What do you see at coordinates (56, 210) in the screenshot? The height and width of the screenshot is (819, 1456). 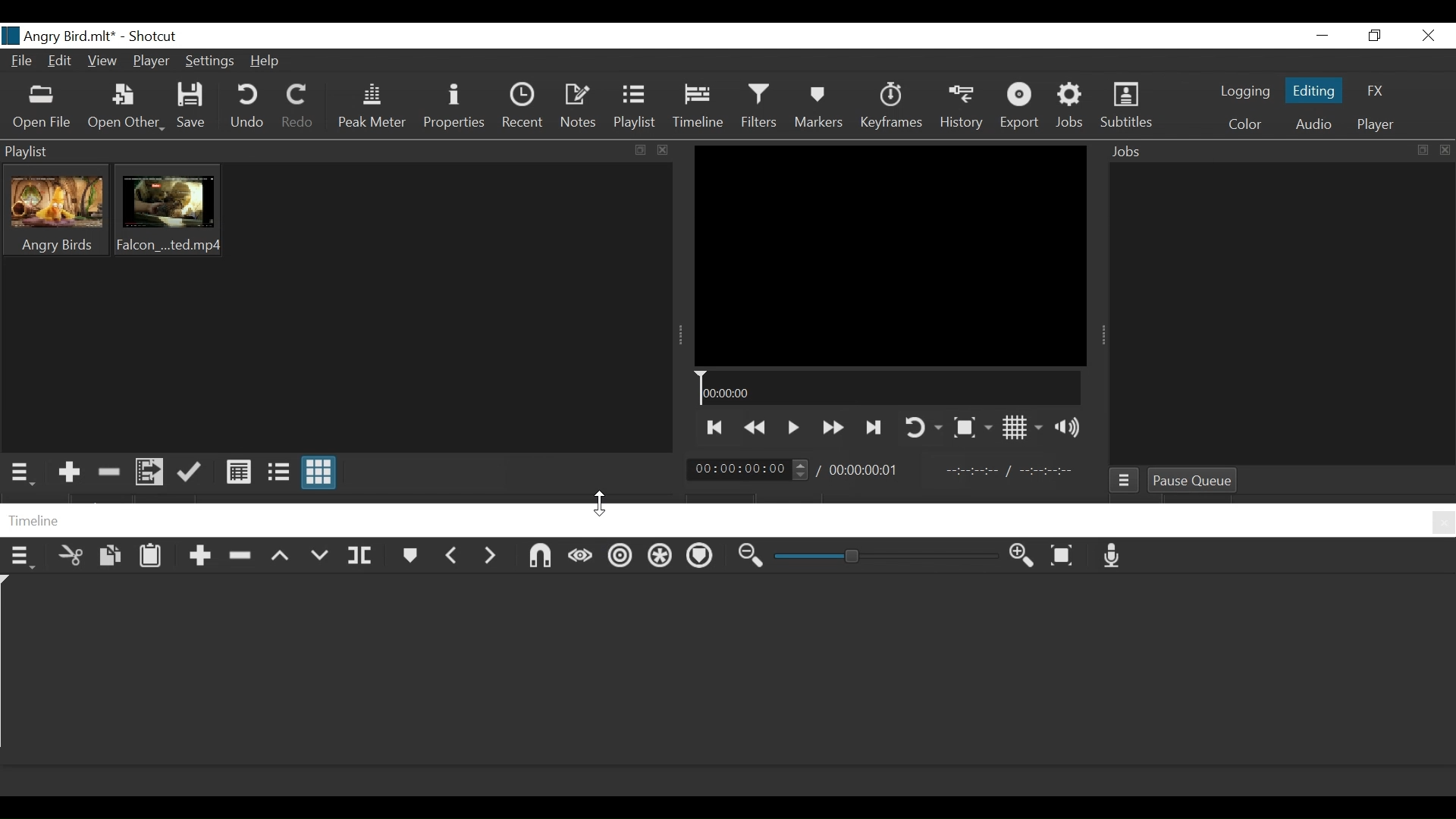 I see `Clip` at bounding box center [56, 210].